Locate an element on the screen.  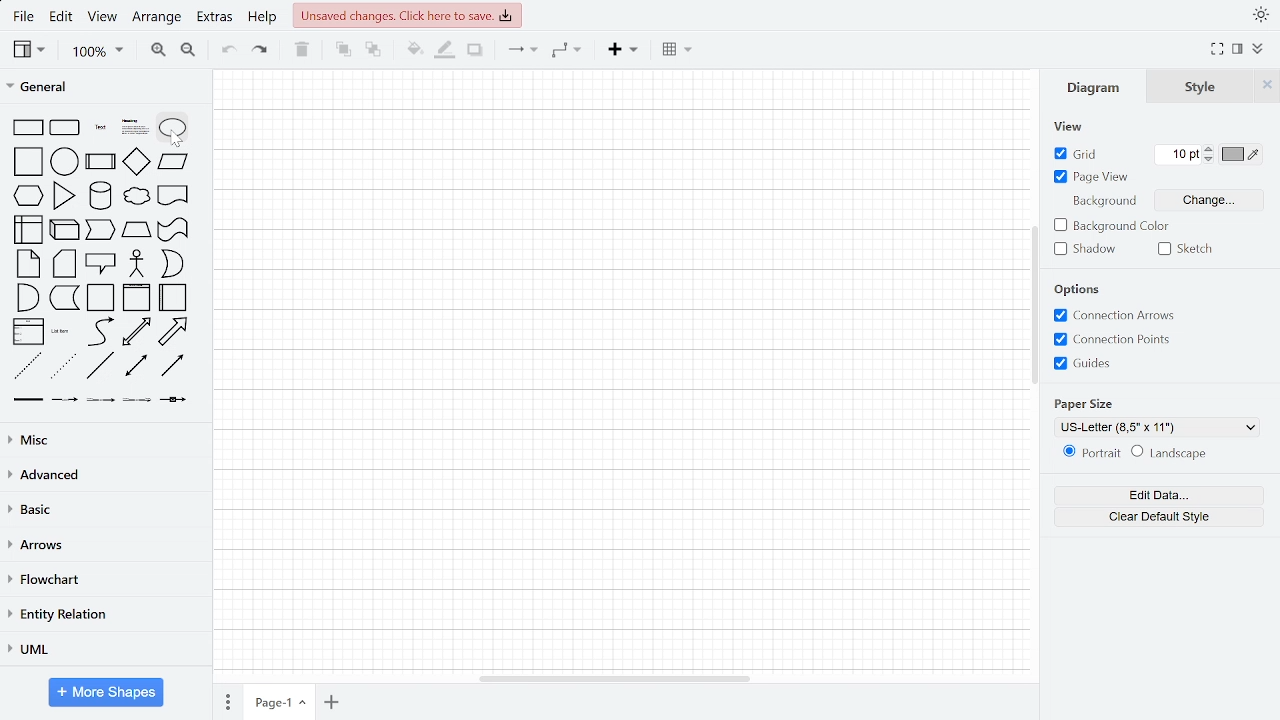
guides is located at coordinates (1085, 365).